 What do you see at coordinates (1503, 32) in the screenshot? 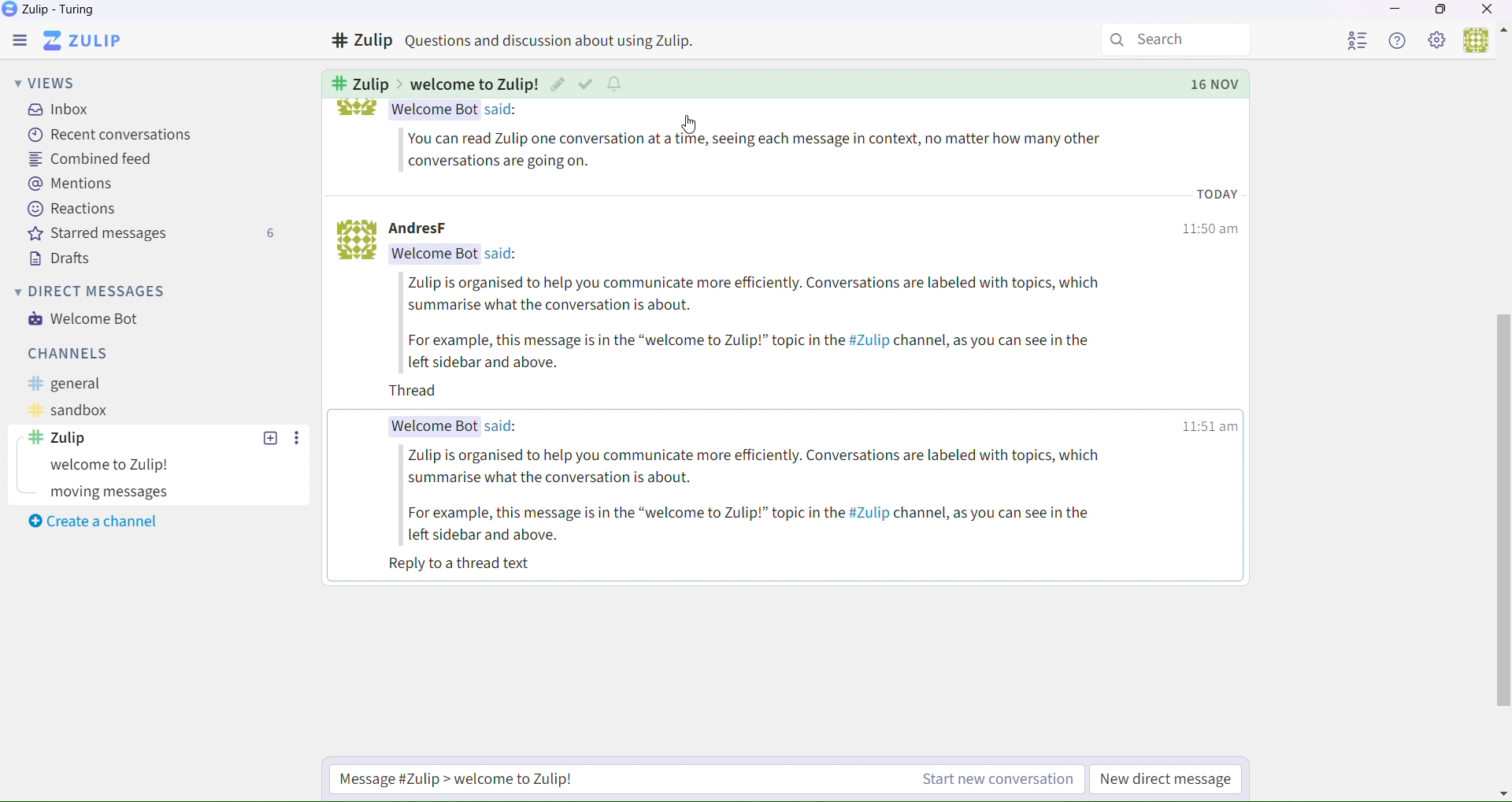
I see `` at bounding box center [1503, 32].